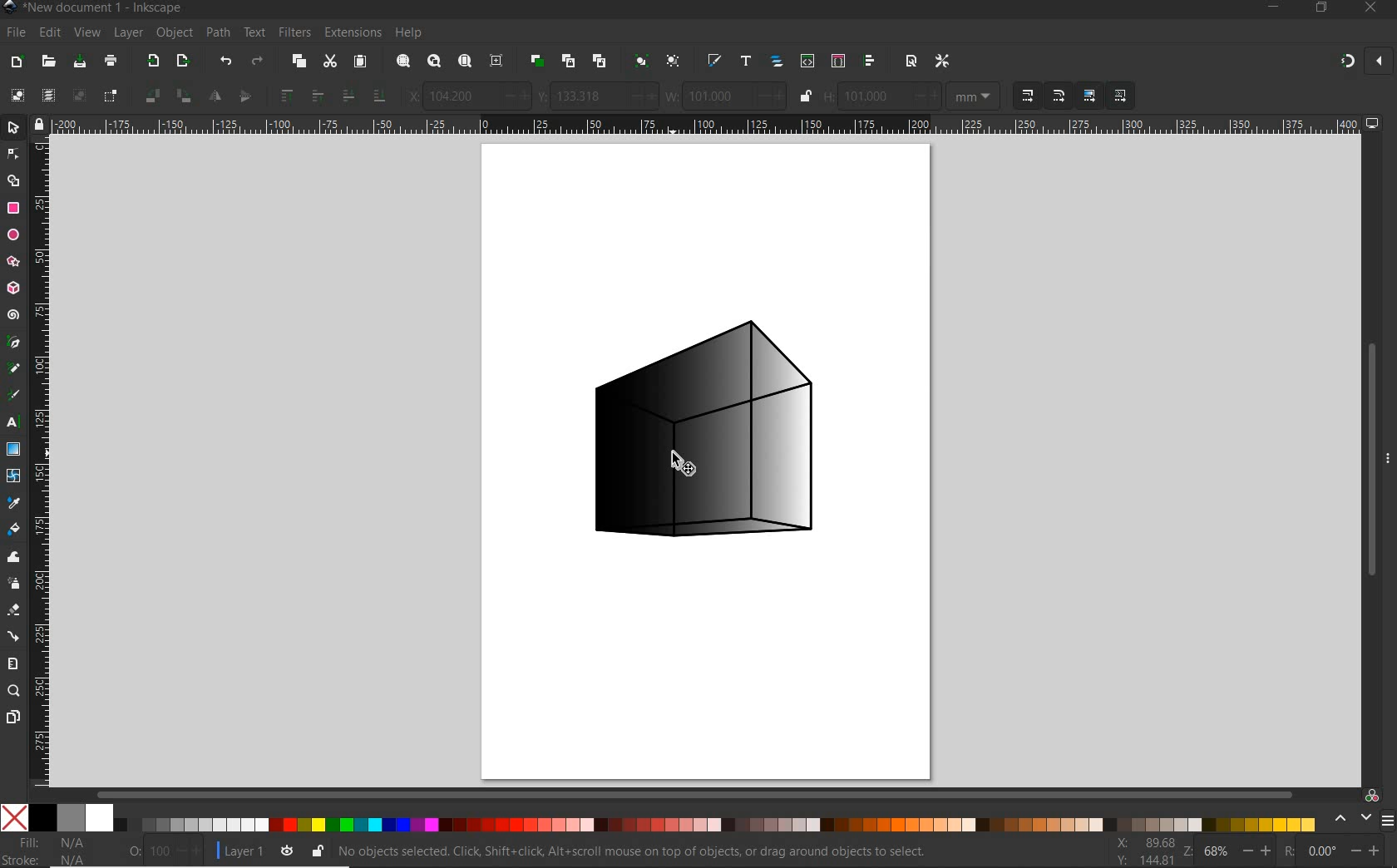 The image size is (1397, 868). I want to click on ZOOM SELECTION, so click(403, 61).